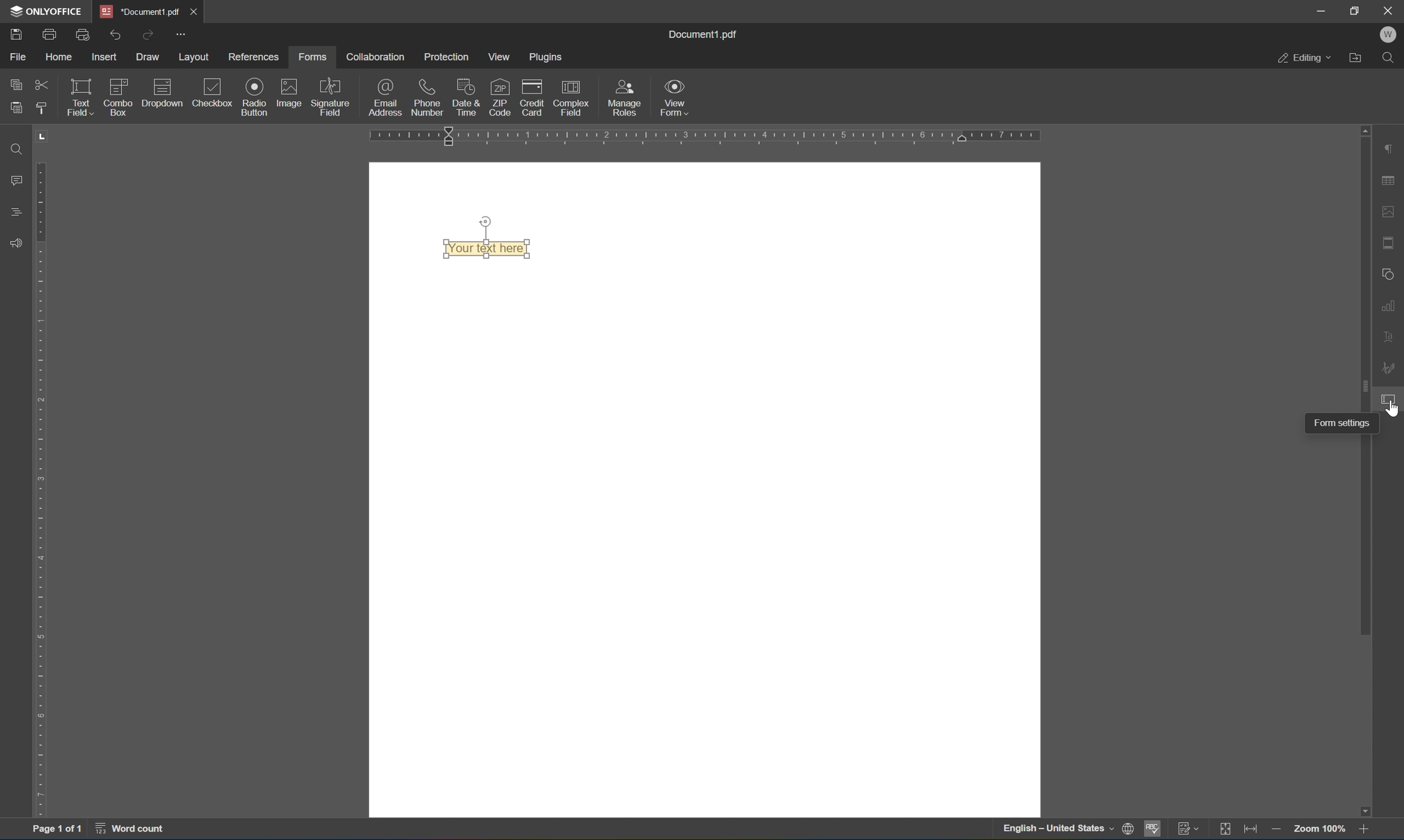 The height and width of the screenshot is (840, 1404). What do you see at coordinates (701, 35) in the screenshot?
I see `document1.pdf` at bounding box center [701, 35].